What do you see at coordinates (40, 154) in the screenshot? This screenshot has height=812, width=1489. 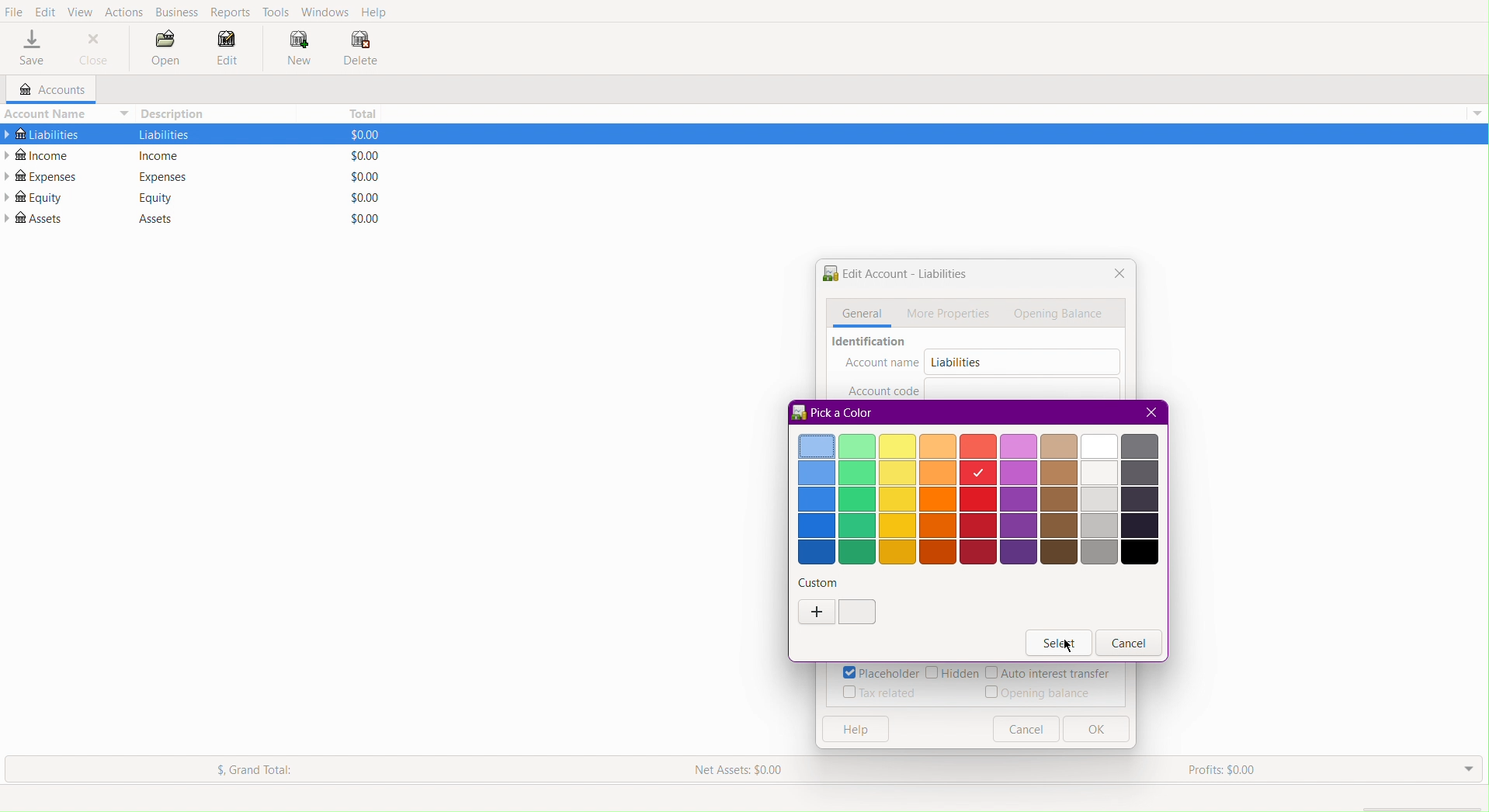 I see `Income` at bounding box center [40, 154].